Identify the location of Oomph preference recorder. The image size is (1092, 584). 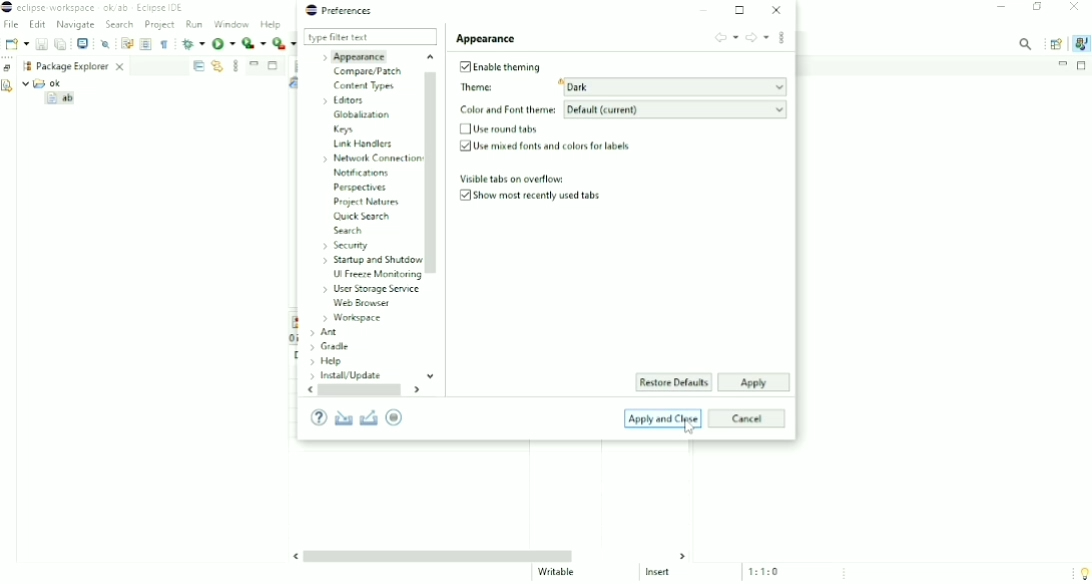
(399, 418).